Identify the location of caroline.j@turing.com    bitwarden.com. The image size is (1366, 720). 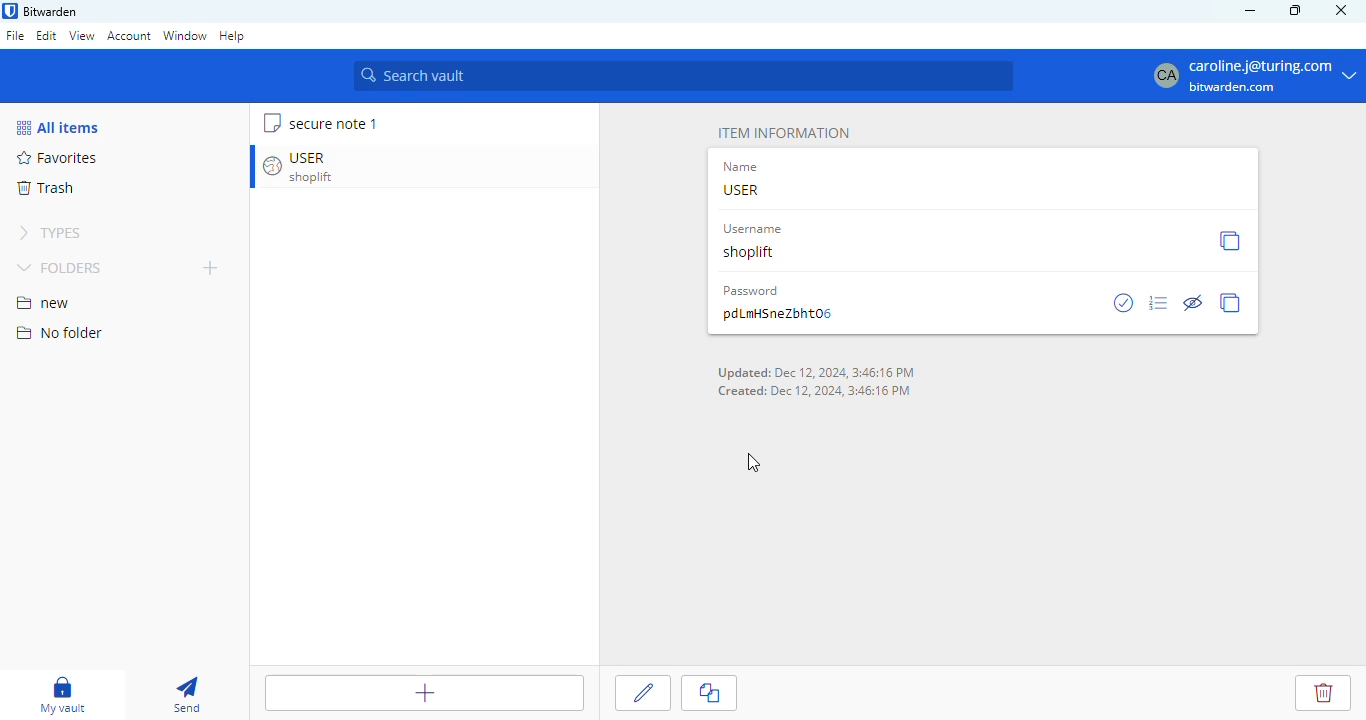
(1256, 74).